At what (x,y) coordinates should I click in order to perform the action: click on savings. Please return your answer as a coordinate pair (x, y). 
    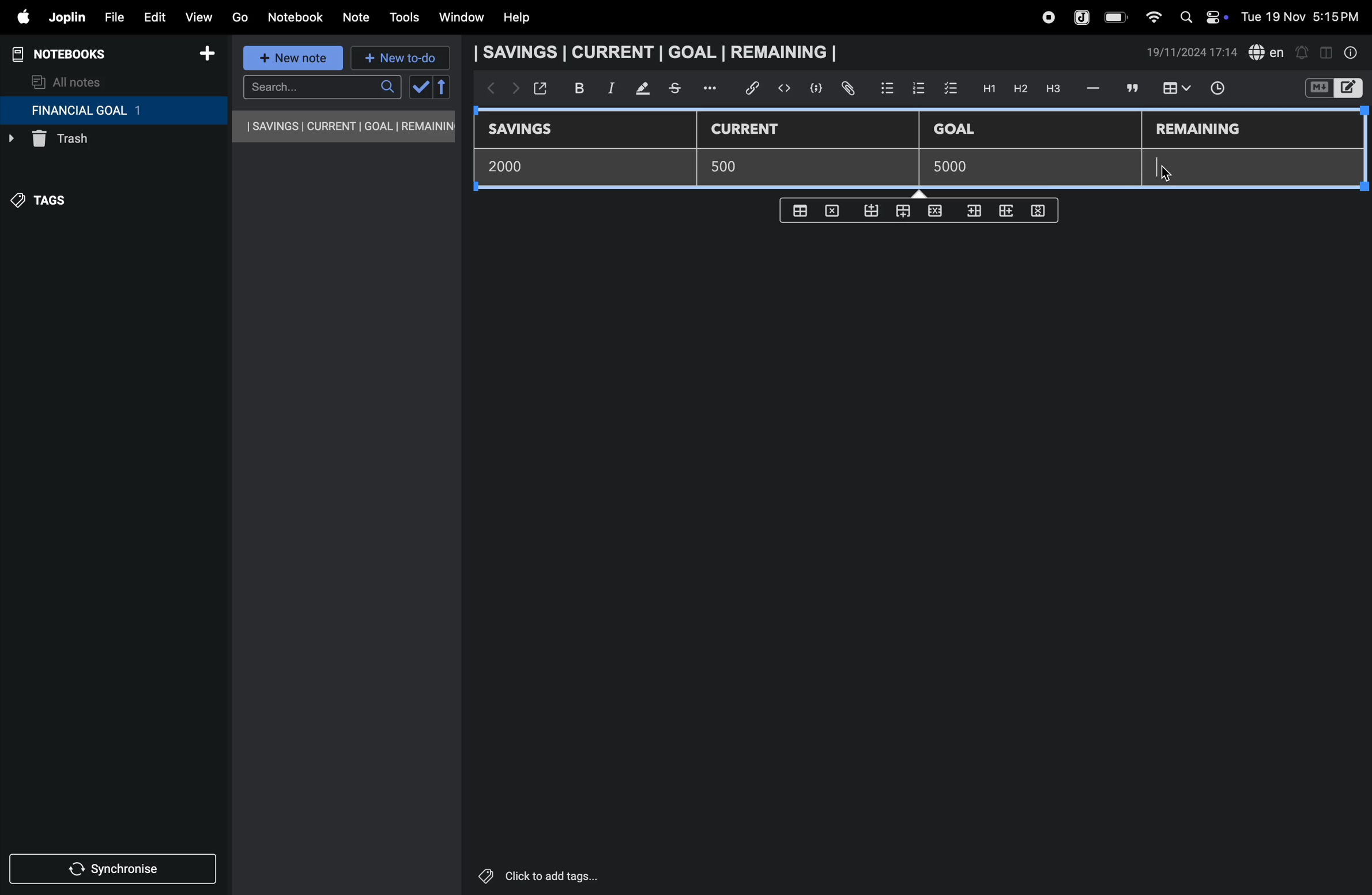
    Looking at the image, I should click on (529, 130).